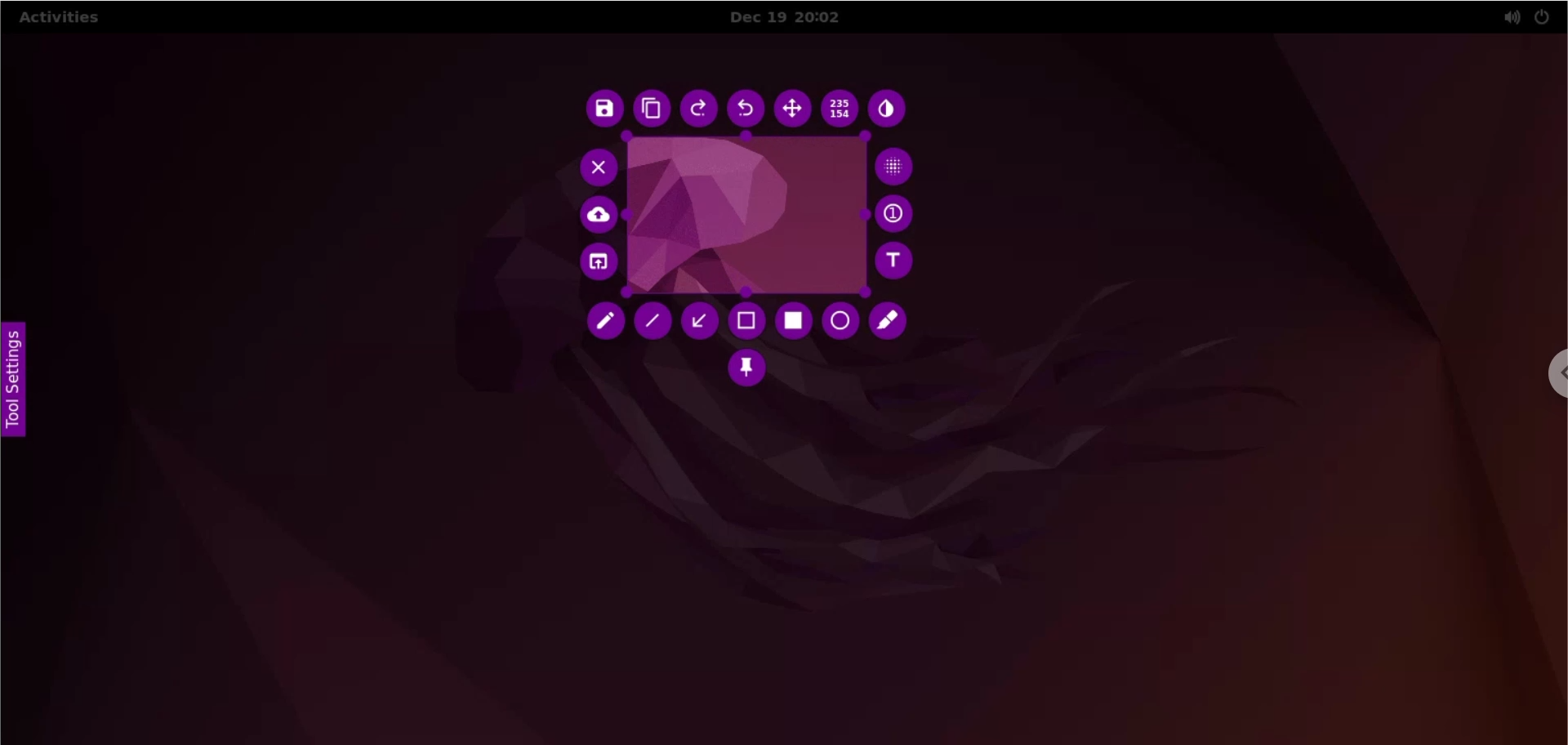 The width and height of the screenshot is (1568, 745). What do you see at coordinates (889, 109) in the screenshot?
I see `inverter` at bounding box center [889, 109].